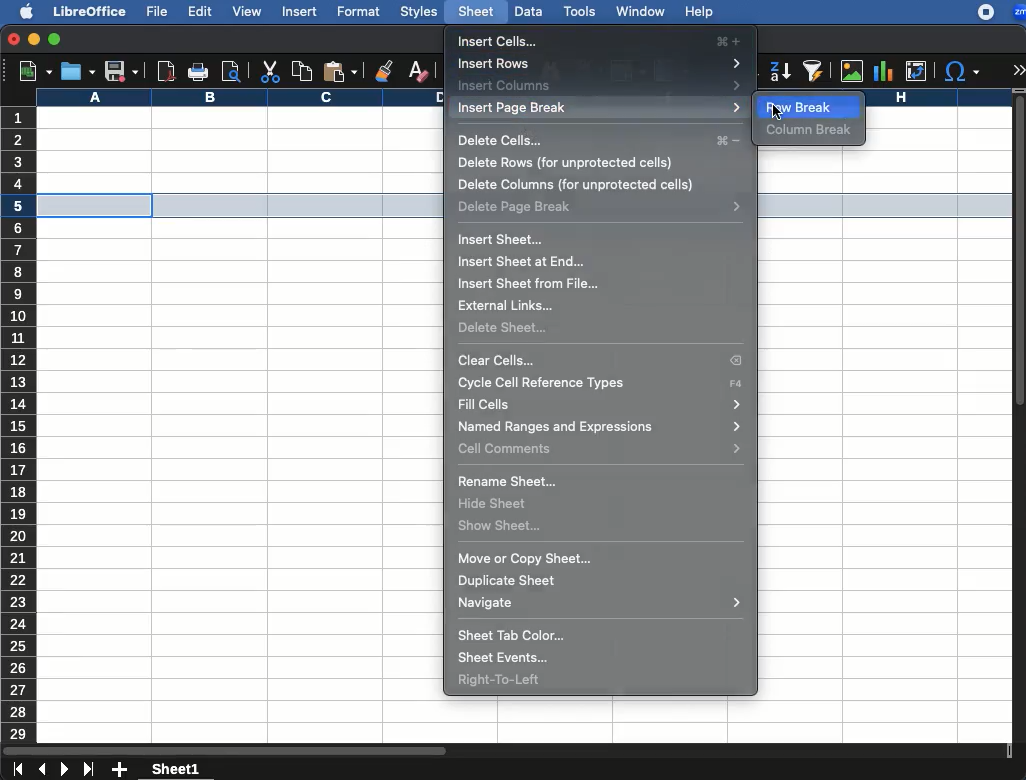  What do you see at coordinates (1020, 417) in the screenshot?
I see `scroll` at bounding box center [1020, 417].